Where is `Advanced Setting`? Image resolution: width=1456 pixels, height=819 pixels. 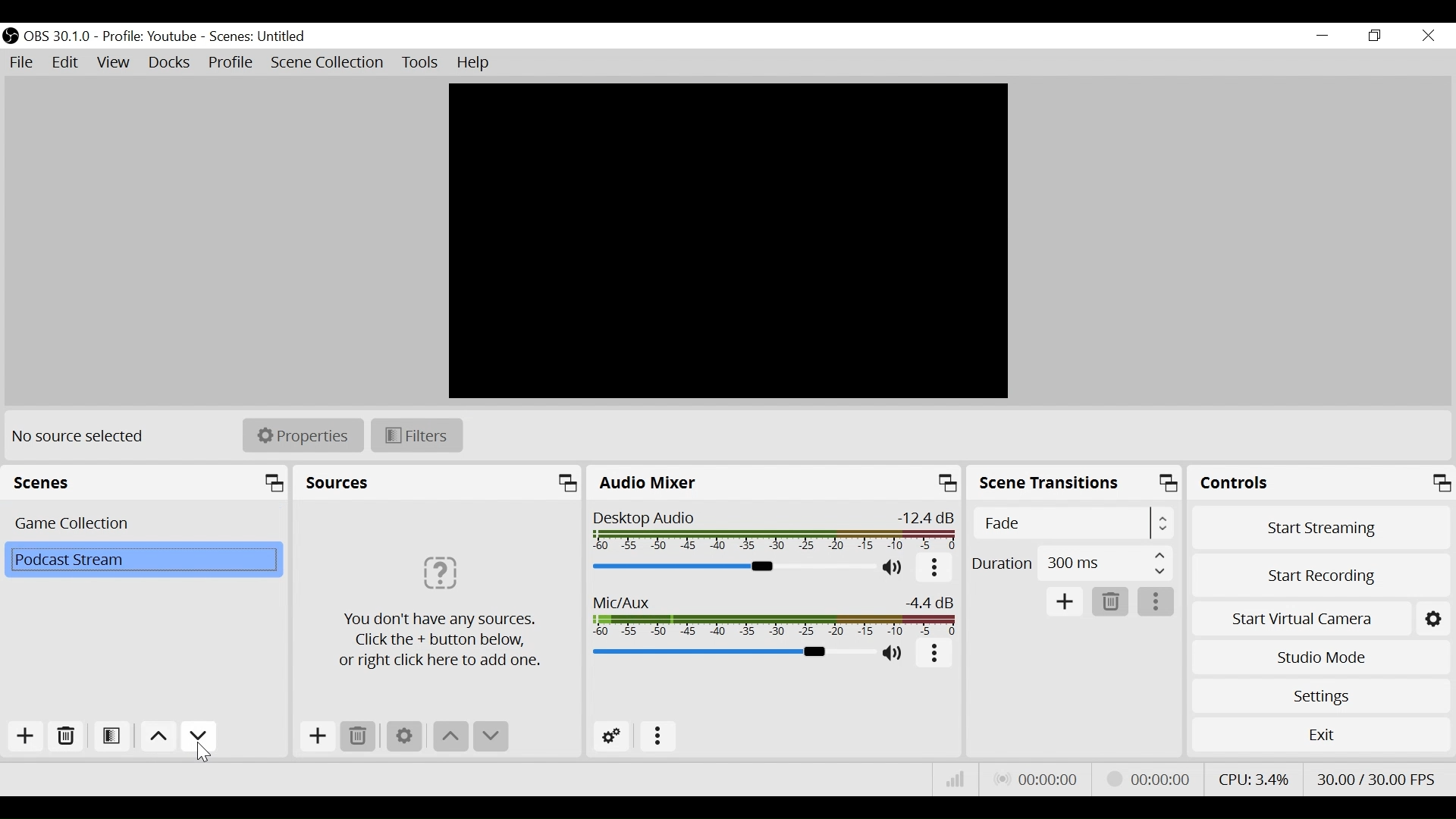 Advanced Setting is located at coordinates (612, 736).